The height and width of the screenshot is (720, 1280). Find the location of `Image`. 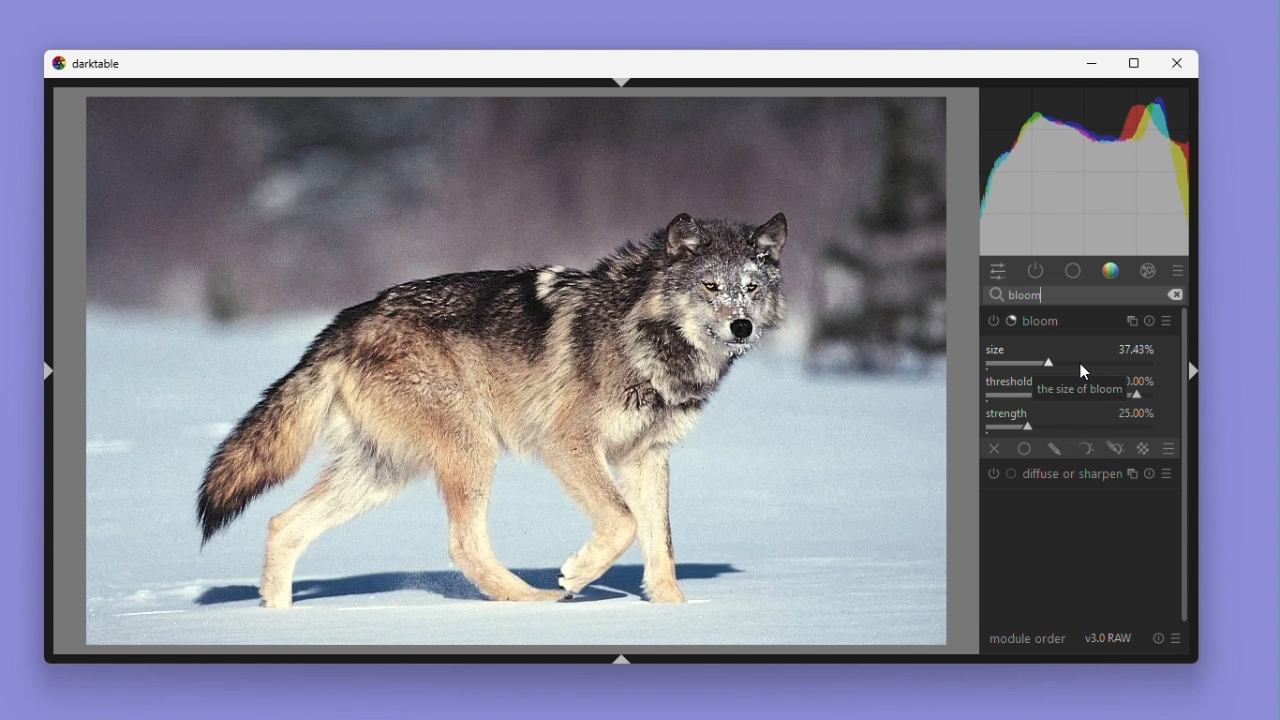

Image is located at coordinates (516, 370).